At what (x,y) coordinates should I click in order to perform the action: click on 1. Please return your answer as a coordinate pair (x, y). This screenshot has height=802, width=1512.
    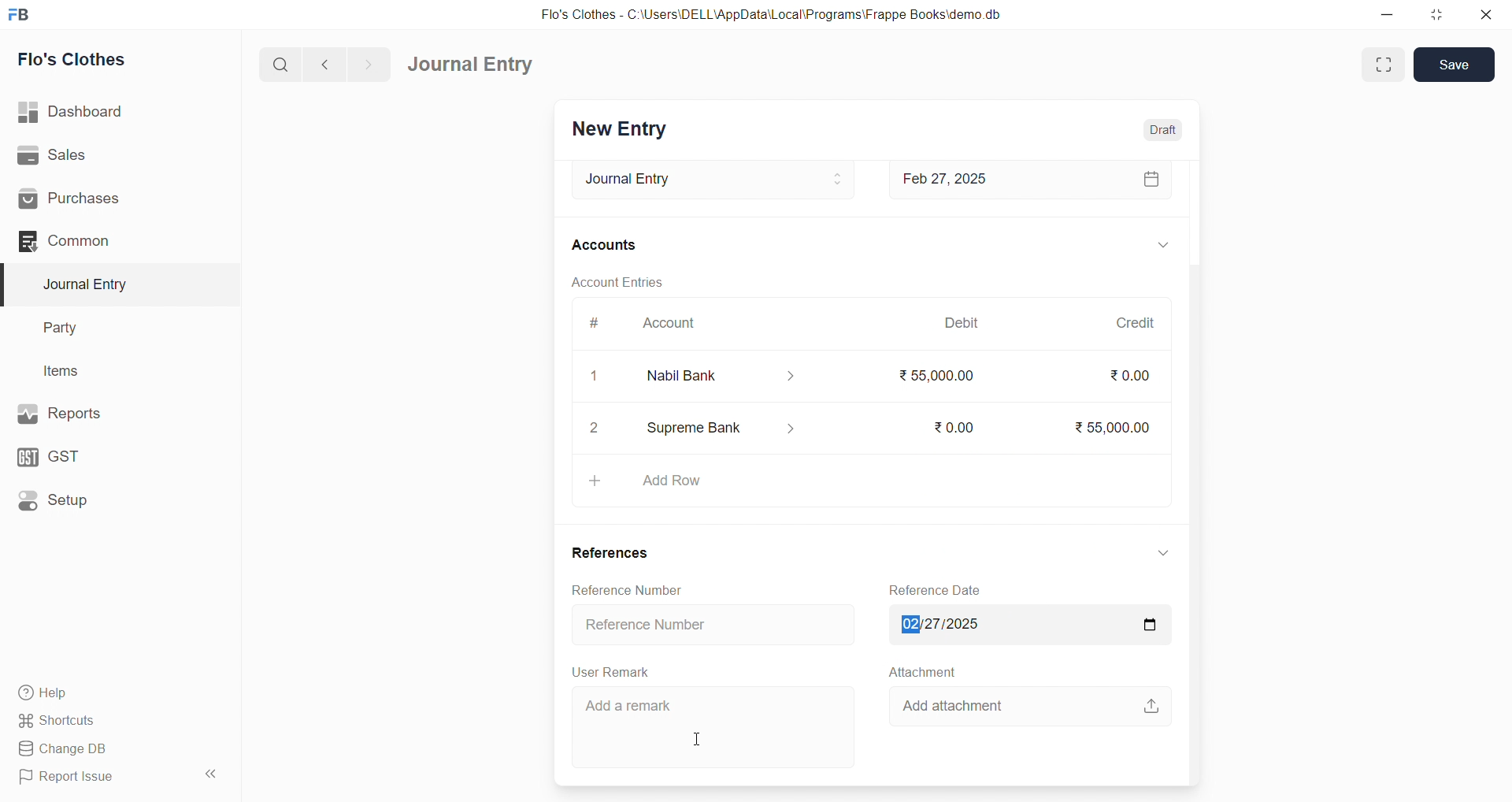
    Looking at the image, I should click on (596, 377).